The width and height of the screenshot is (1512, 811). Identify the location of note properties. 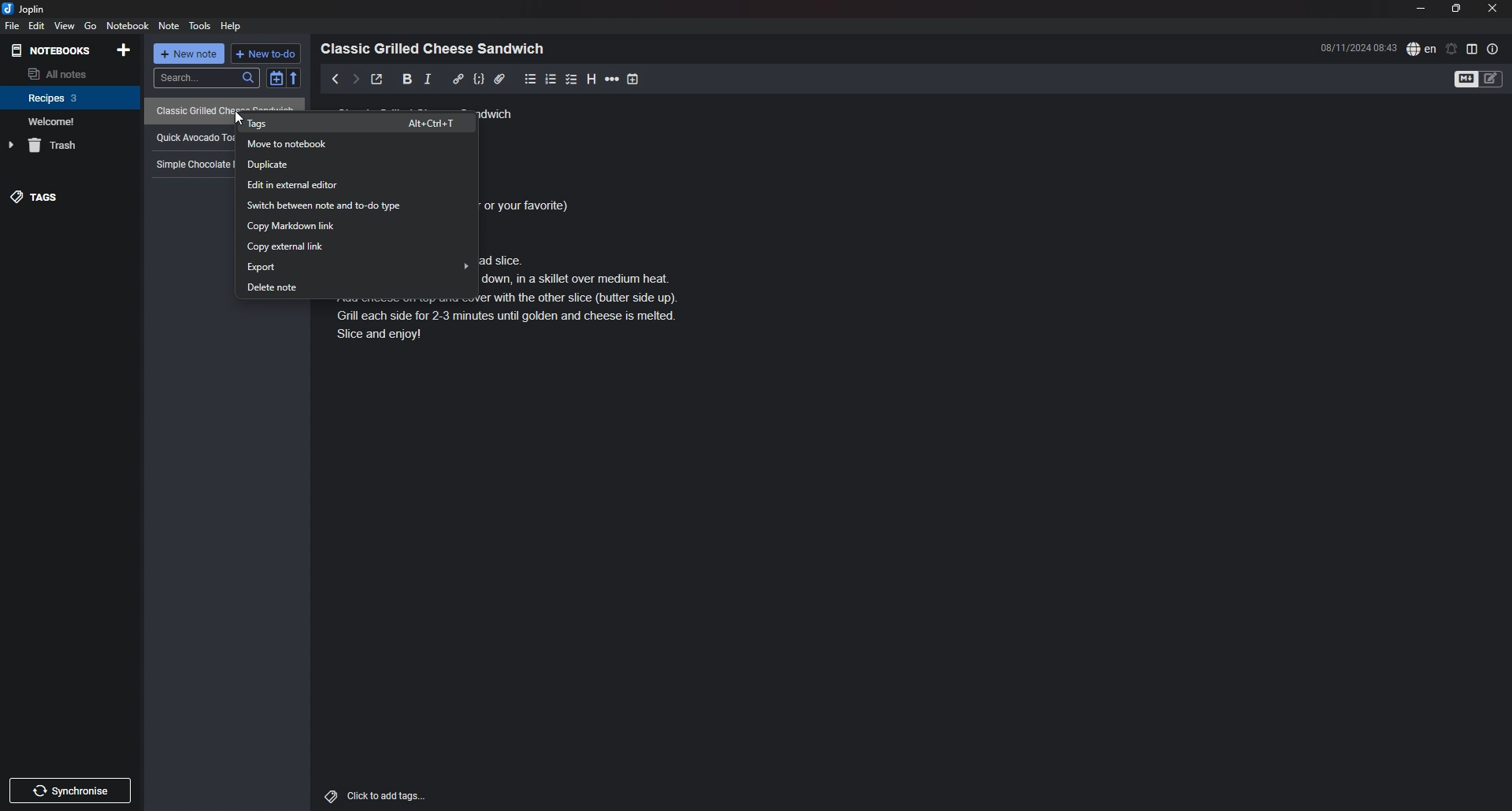
(1493, 49).